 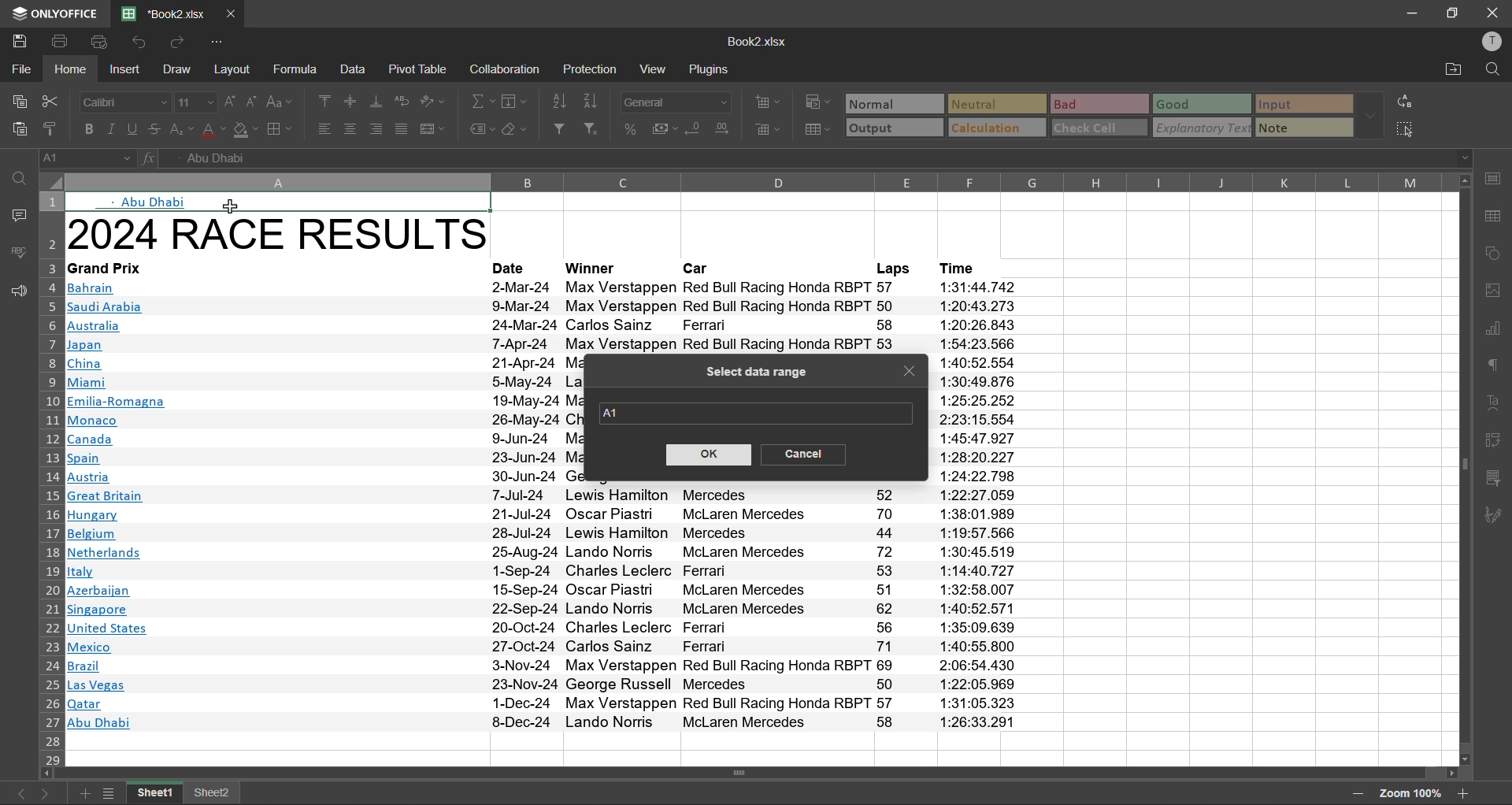 I want to click on change case, so click(x=284, y=102).